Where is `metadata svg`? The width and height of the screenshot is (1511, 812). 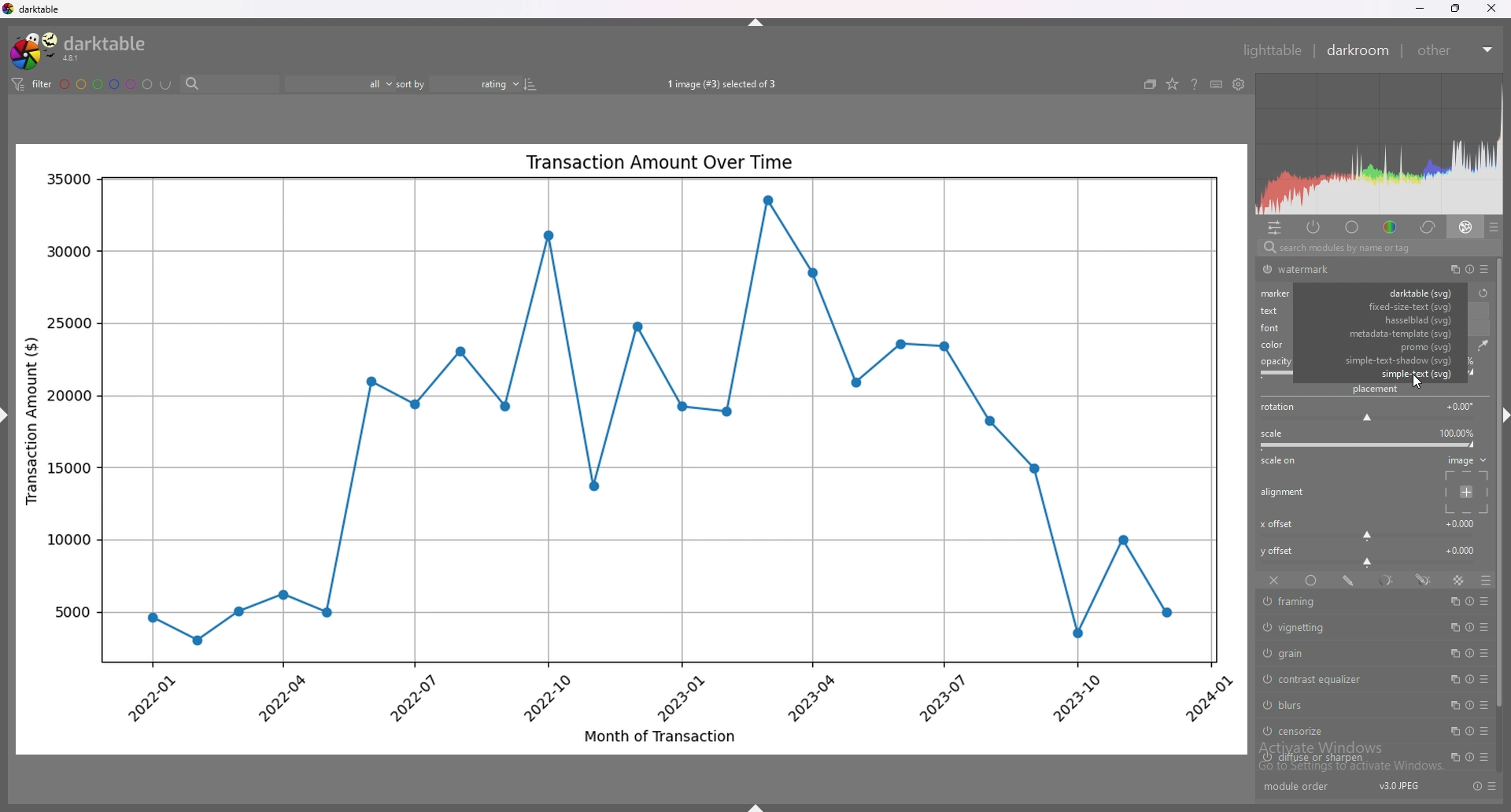
metadata svg is located at coordinates (1385, 334).